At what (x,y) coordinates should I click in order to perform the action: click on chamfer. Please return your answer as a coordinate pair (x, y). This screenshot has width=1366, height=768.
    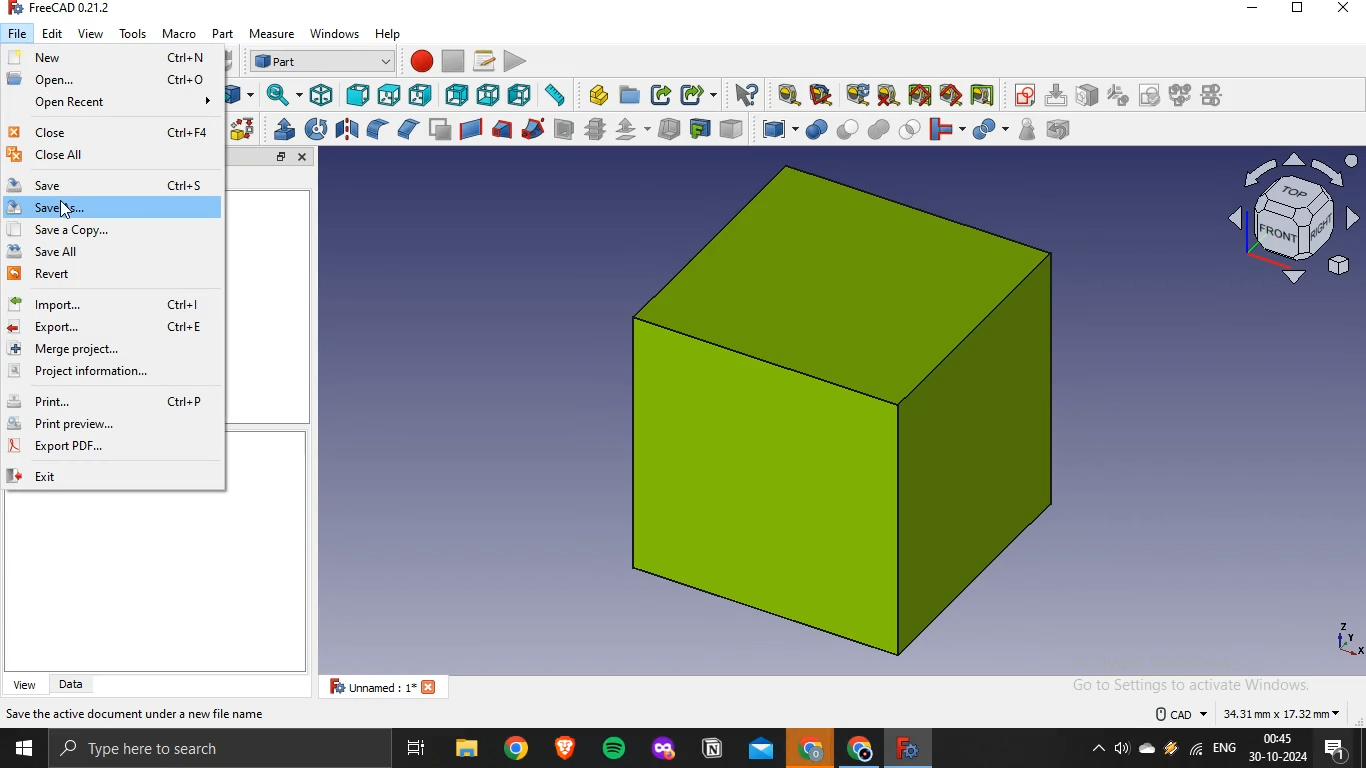
    Looking at the image, I should click on (406, 129).